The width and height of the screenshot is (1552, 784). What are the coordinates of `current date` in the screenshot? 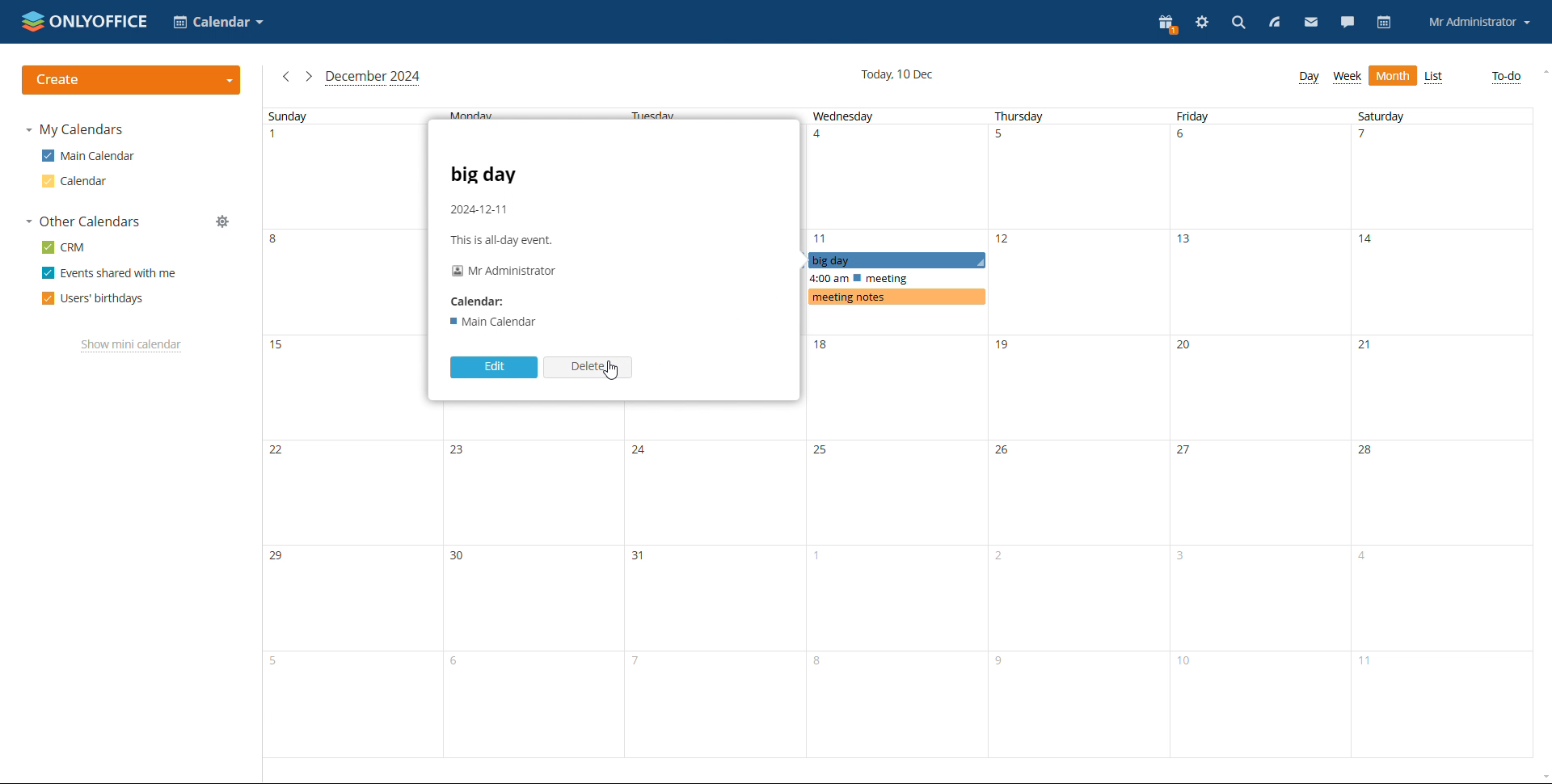 It's located at (897, 74).